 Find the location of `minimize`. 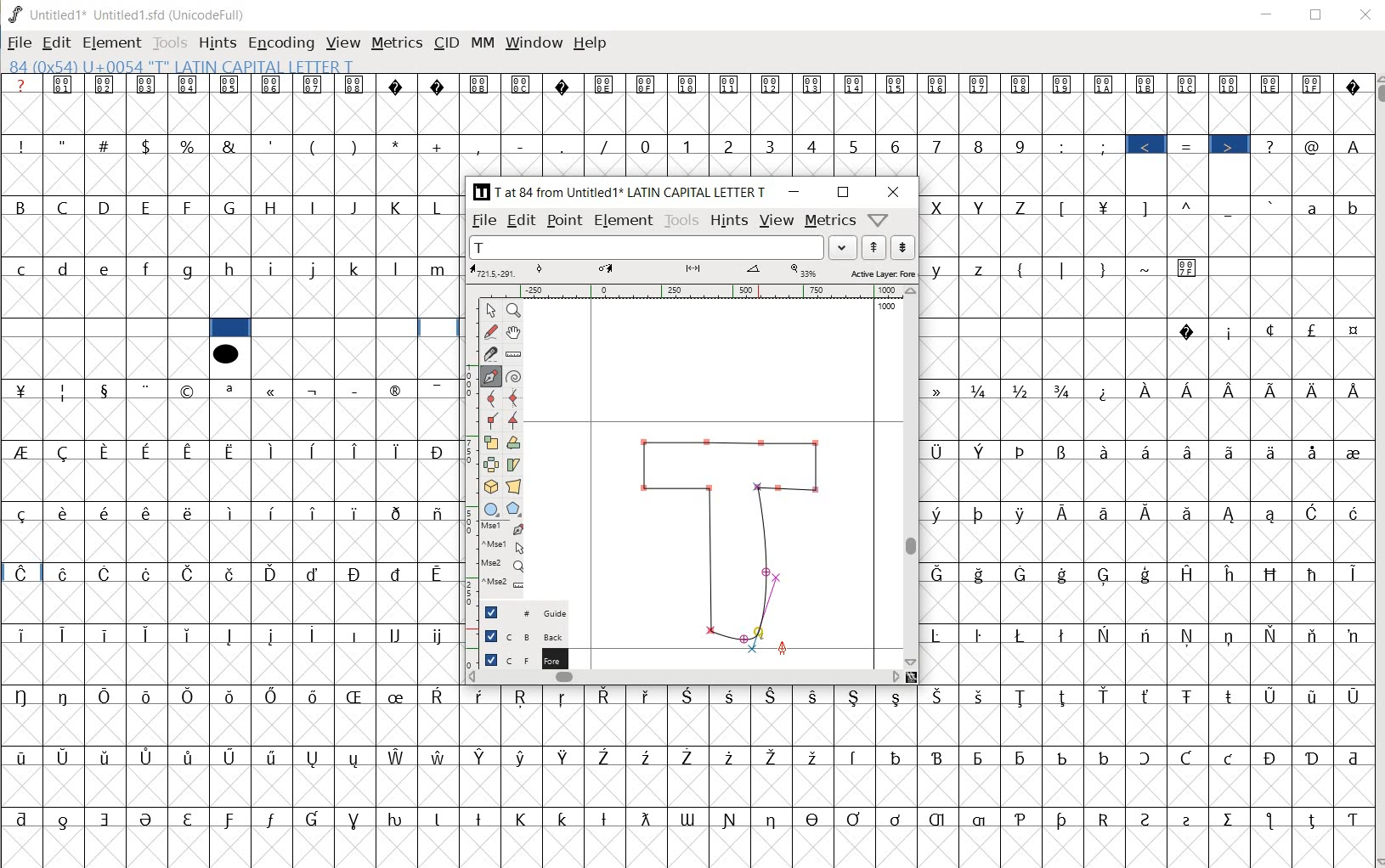

minimize is located at coordinates (1268, 14).